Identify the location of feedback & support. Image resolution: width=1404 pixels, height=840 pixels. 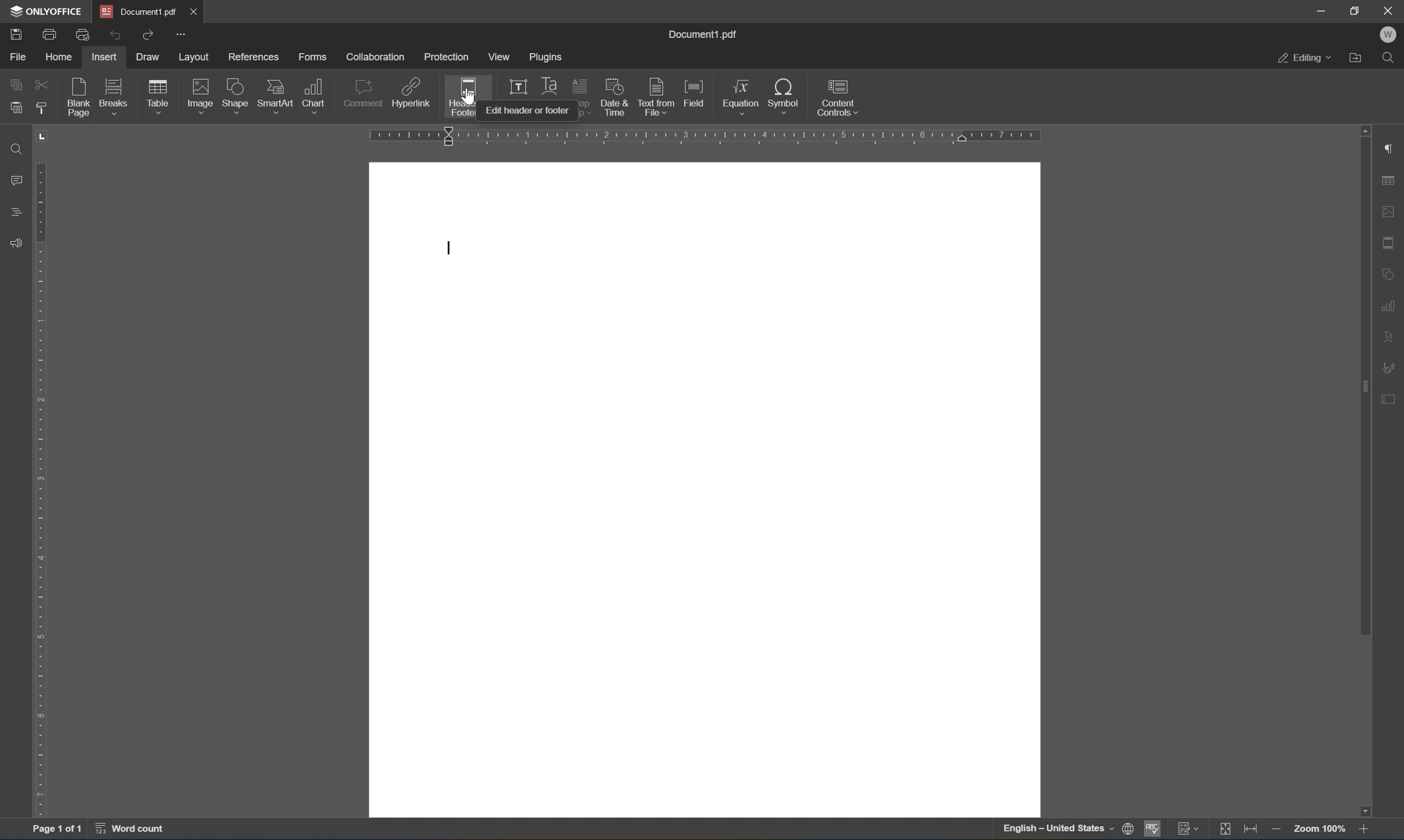
(17, 241).